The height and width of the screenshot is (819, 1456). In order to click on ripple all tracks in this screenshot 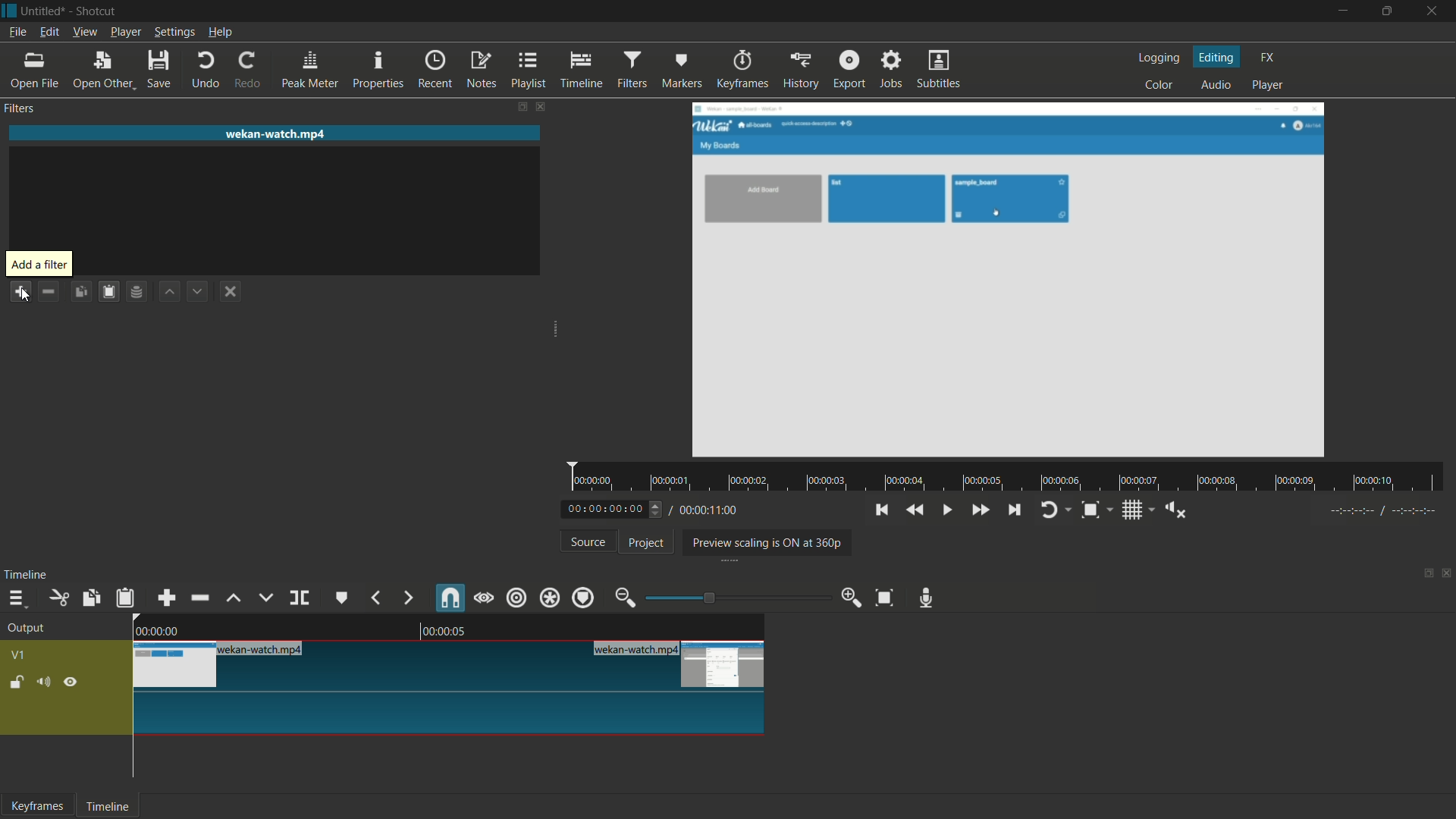, I will do `click(548, 598)`.